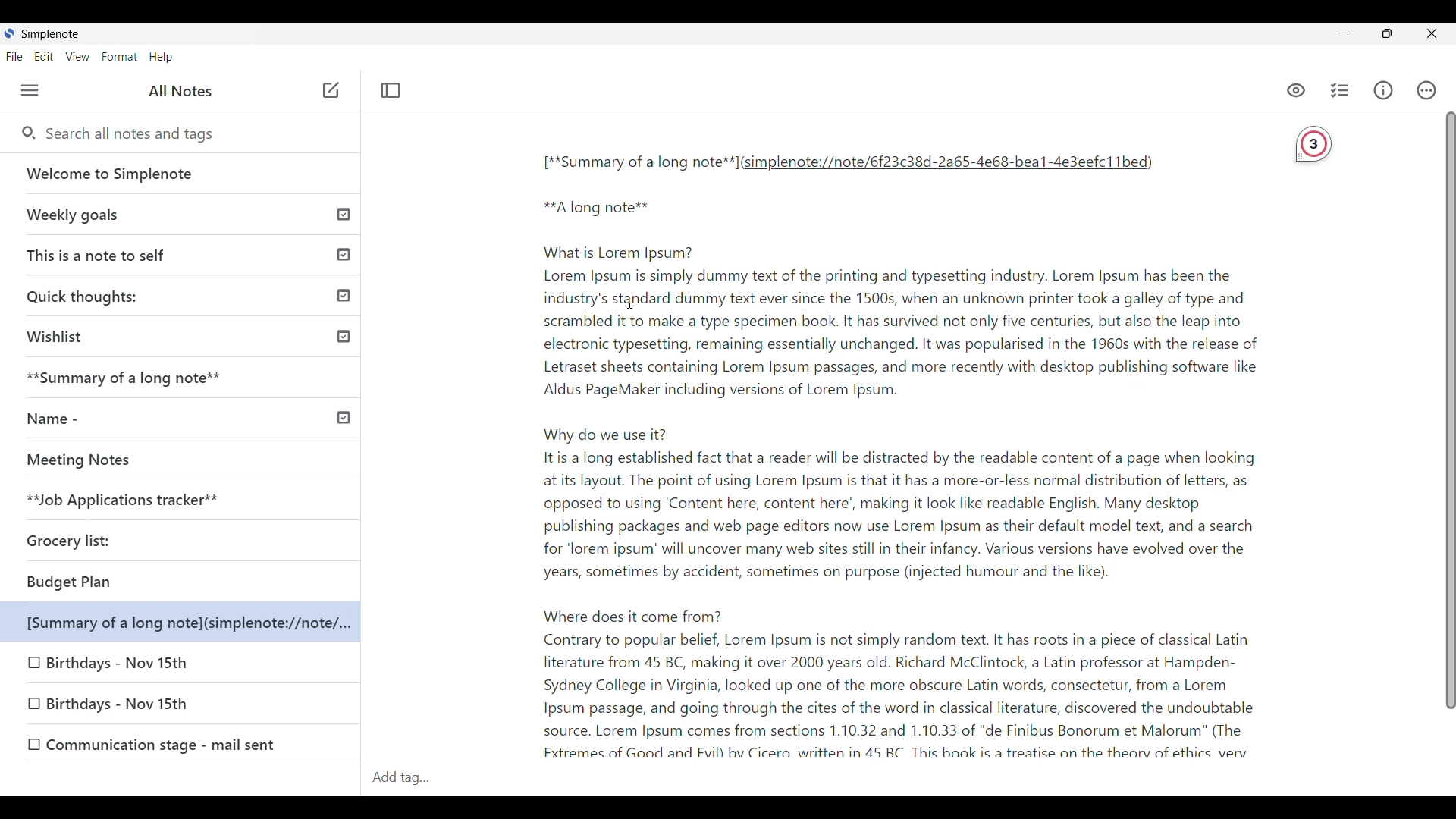 This screenshot has width=1456, height=819. Describe the element at coordinates (78, 57) in the screenshot. I see `View` at that location.